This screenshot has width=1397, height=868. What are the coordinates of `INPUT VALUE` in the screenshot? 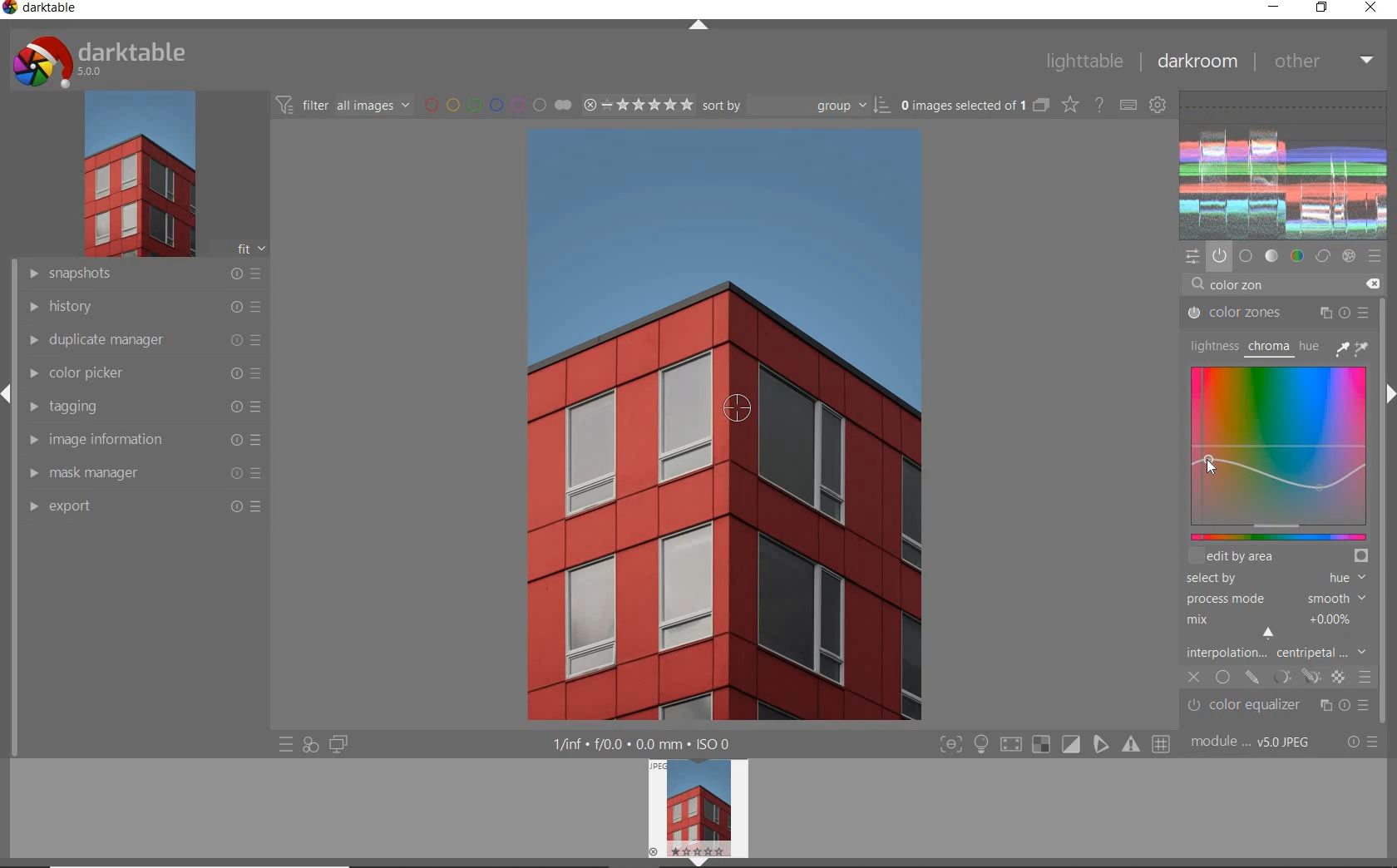 It's located at (1229, 286).